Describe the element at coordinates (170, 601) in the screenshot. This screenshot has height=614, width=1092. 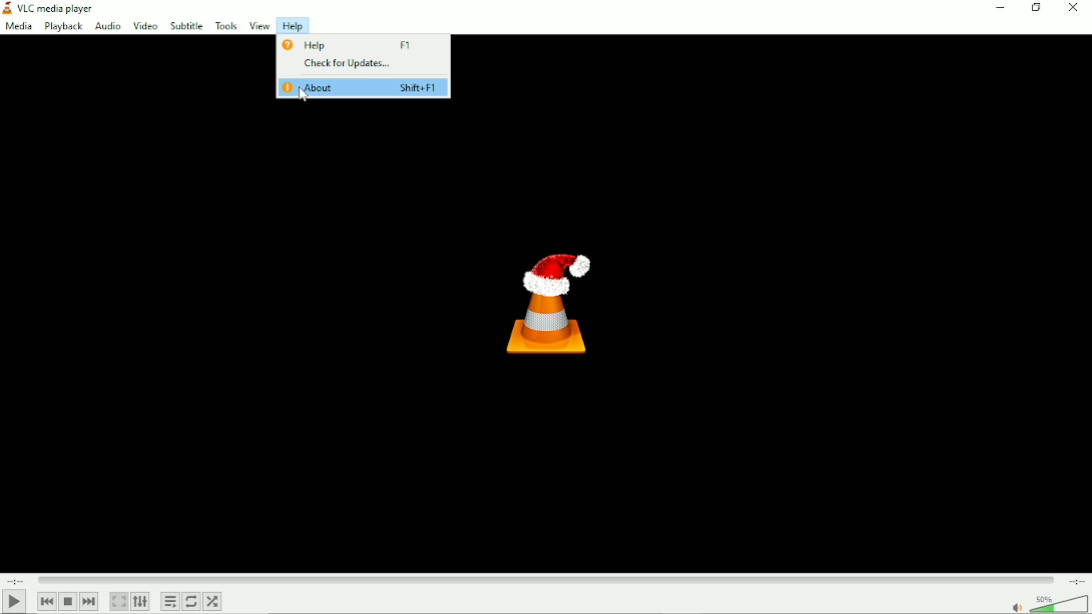
I see `Toggle playlist` at that location.